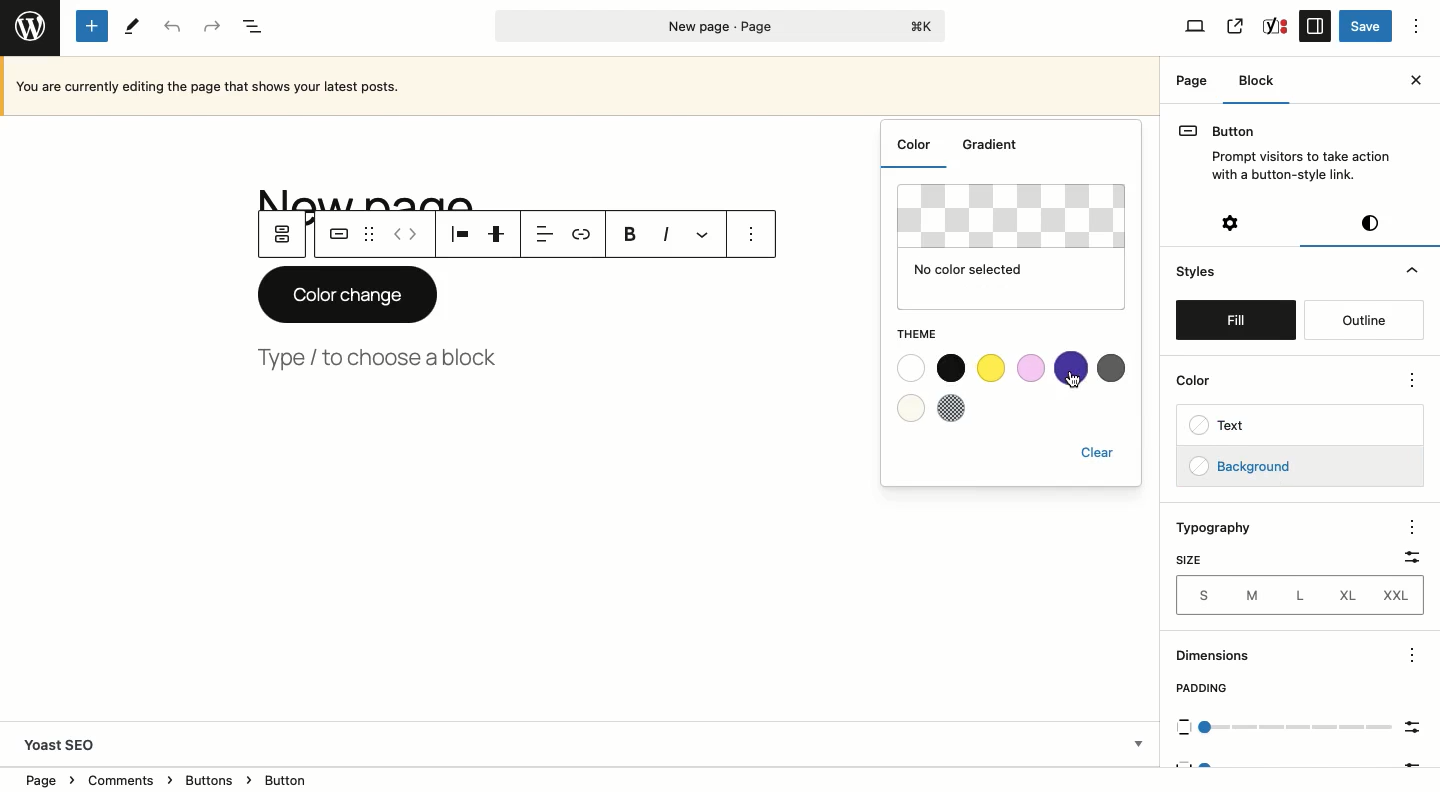 The image size is (1440, 792). Describe the element at coordinates (1100, 452) in the screenshot. I see `Clear` at that location.